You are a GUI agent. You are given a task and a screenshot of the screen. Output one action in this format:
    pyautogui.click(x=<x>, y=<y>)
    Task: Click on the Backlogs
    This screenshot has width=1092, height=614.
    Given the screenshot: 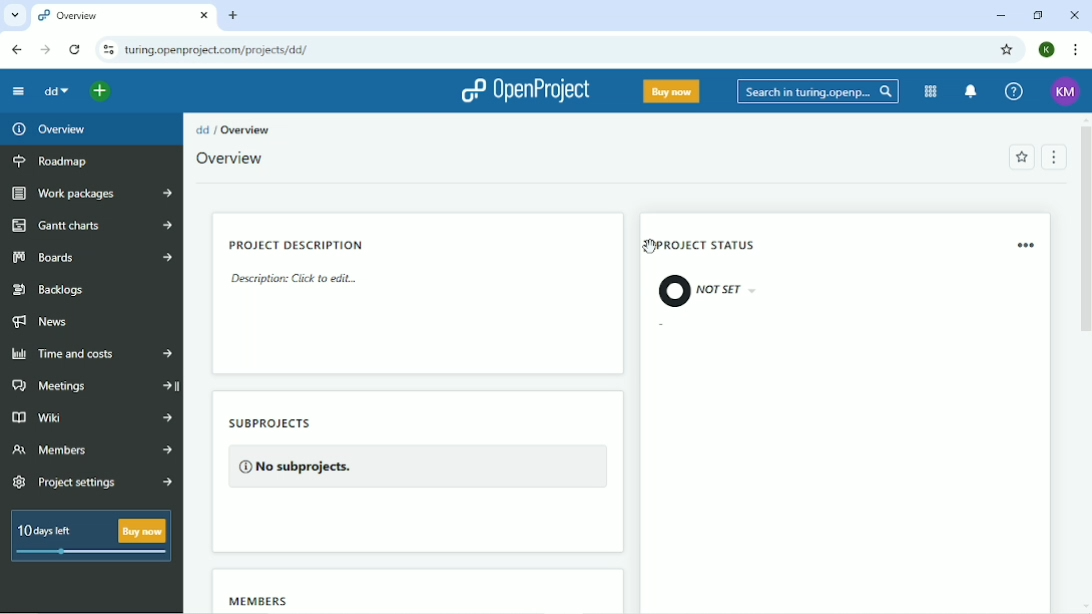 What is the action you would take?
    pyautogui.click(x=49, y=288)
    